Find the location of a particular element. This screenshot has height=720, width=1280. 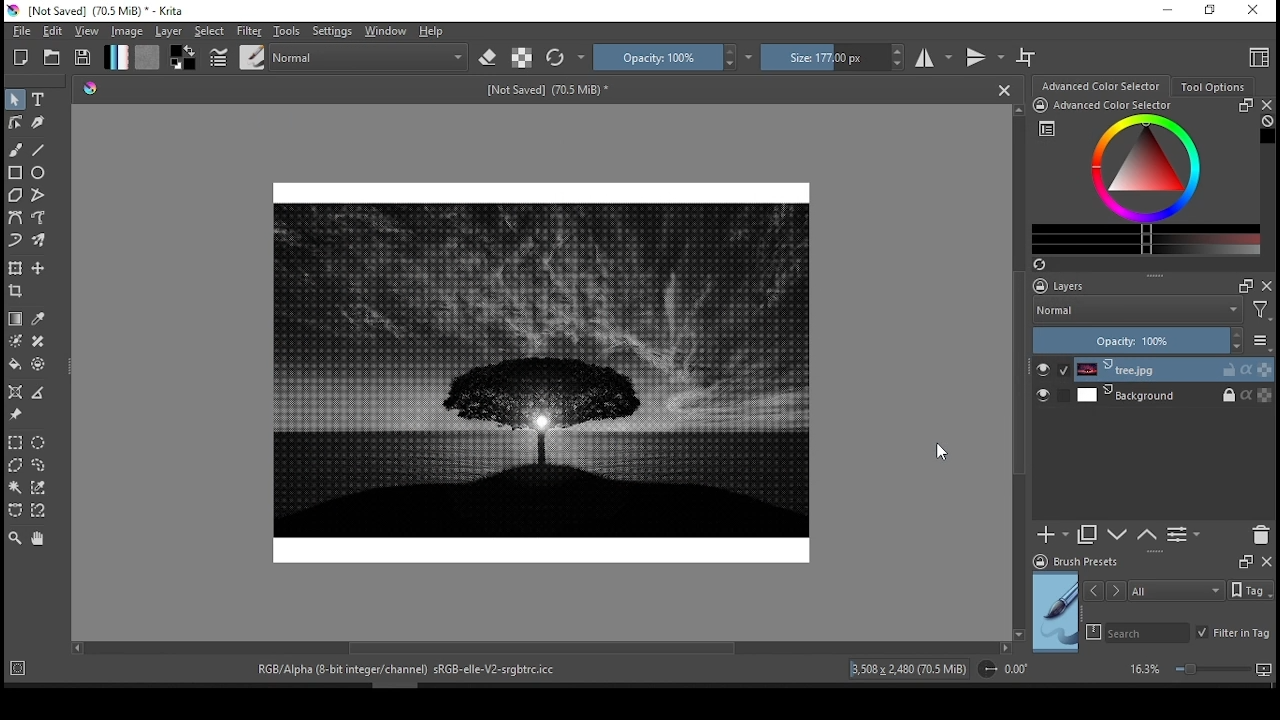

zoom tool is located at coordinates (15, 539).